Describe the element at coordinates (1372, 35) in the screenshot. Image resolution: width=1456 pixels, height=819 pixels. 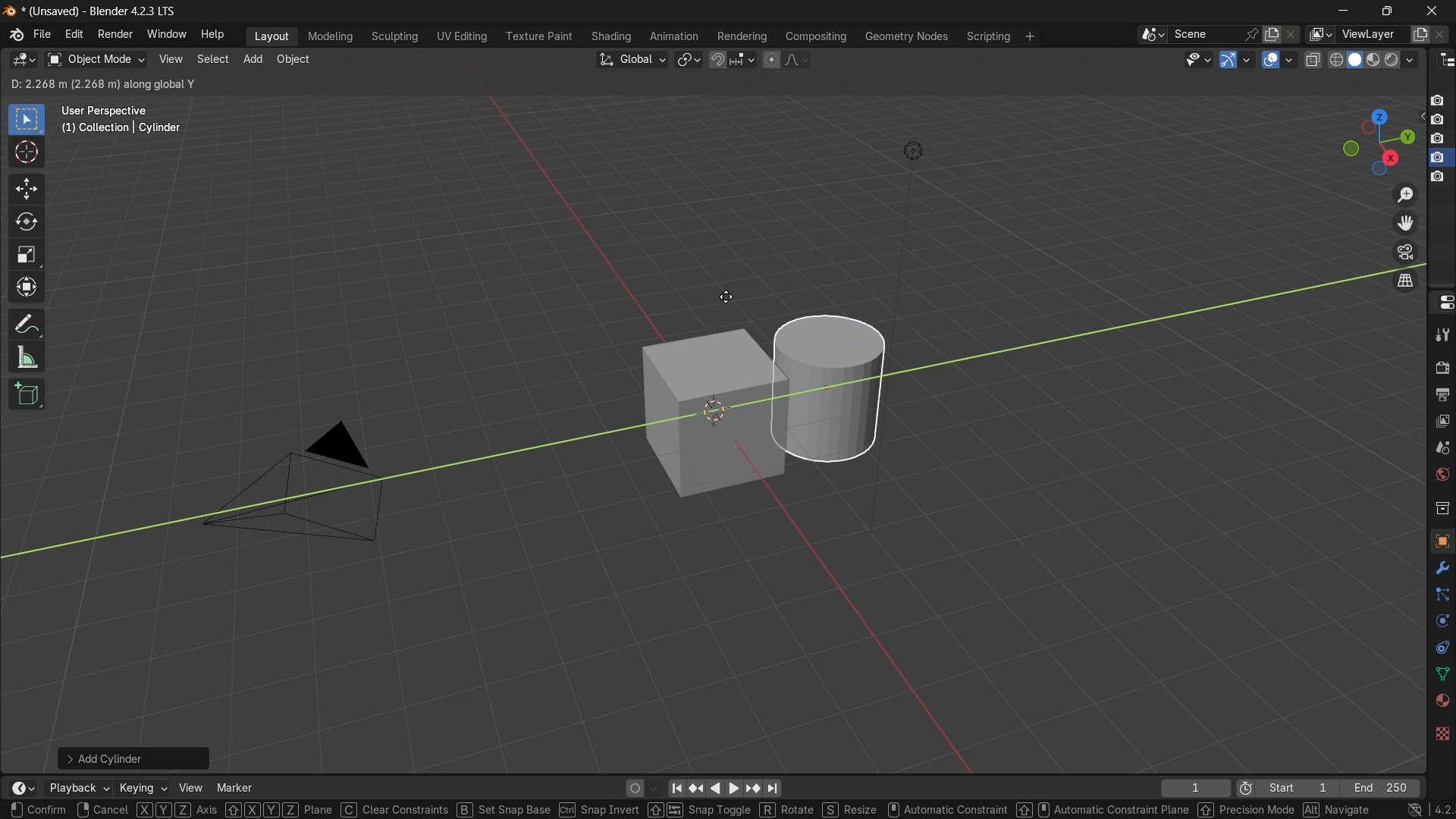
I see `view layer name` at that location.